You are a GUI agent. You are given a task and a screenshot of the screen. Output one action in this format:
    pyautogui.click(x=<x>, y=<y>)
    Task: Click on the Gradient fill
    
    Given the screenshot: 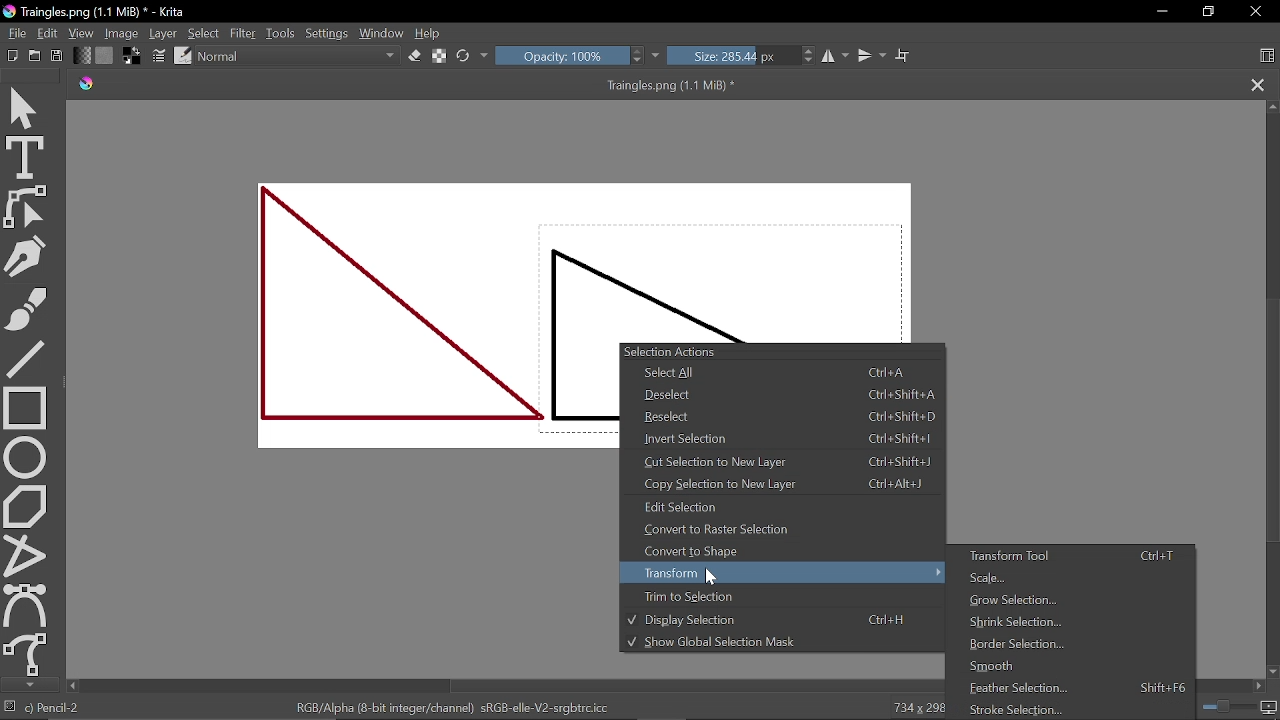 What is the action you would take?
    pyautogui.click(x=82, y=56)
    